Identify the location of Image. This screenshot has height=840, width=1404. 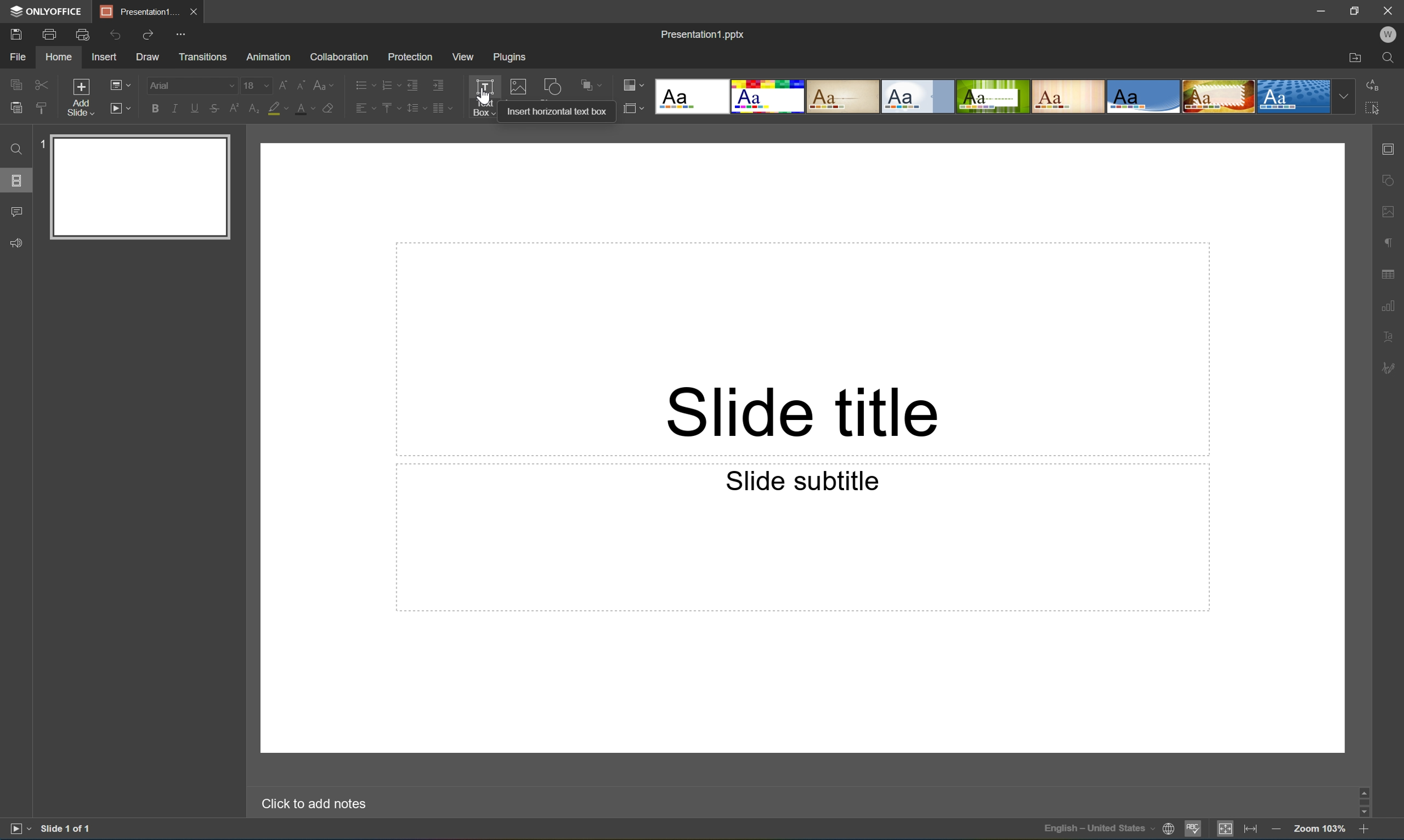
(519, 88).